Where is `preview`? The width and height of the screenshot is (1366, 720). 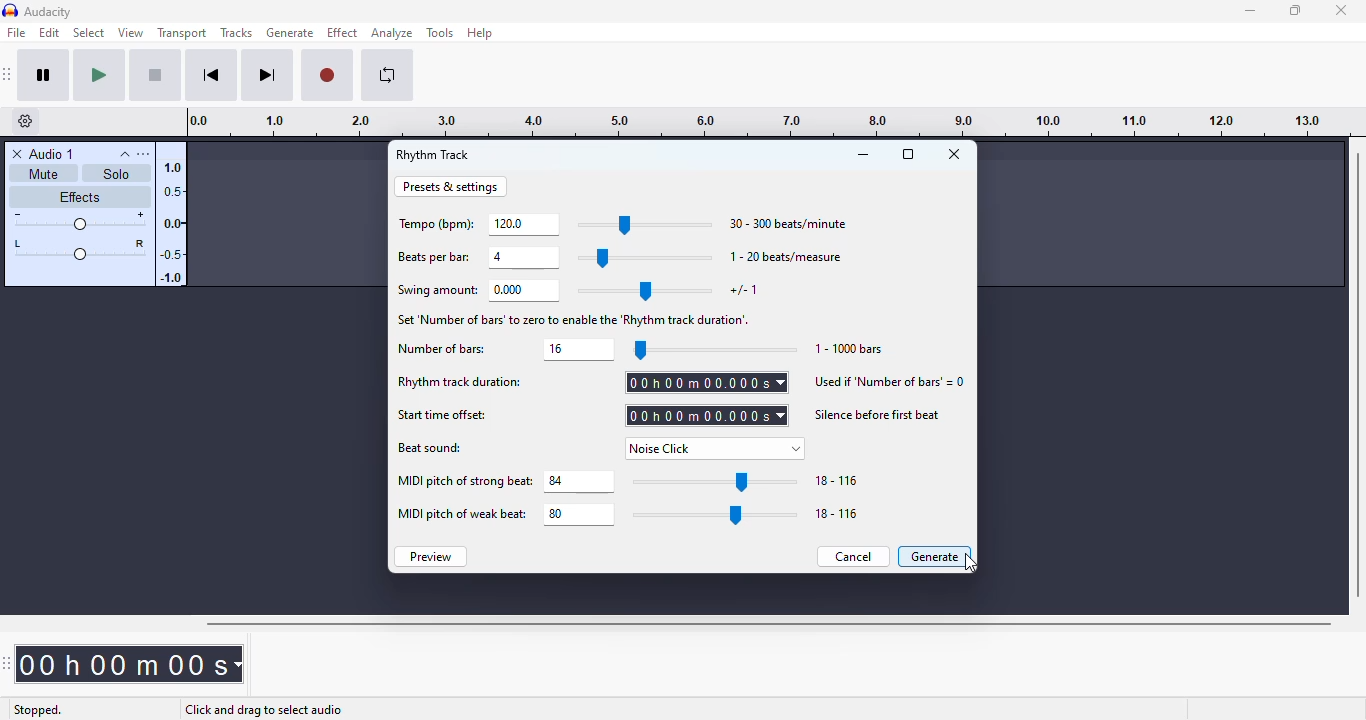 preview is located at coordinates (431, 556).